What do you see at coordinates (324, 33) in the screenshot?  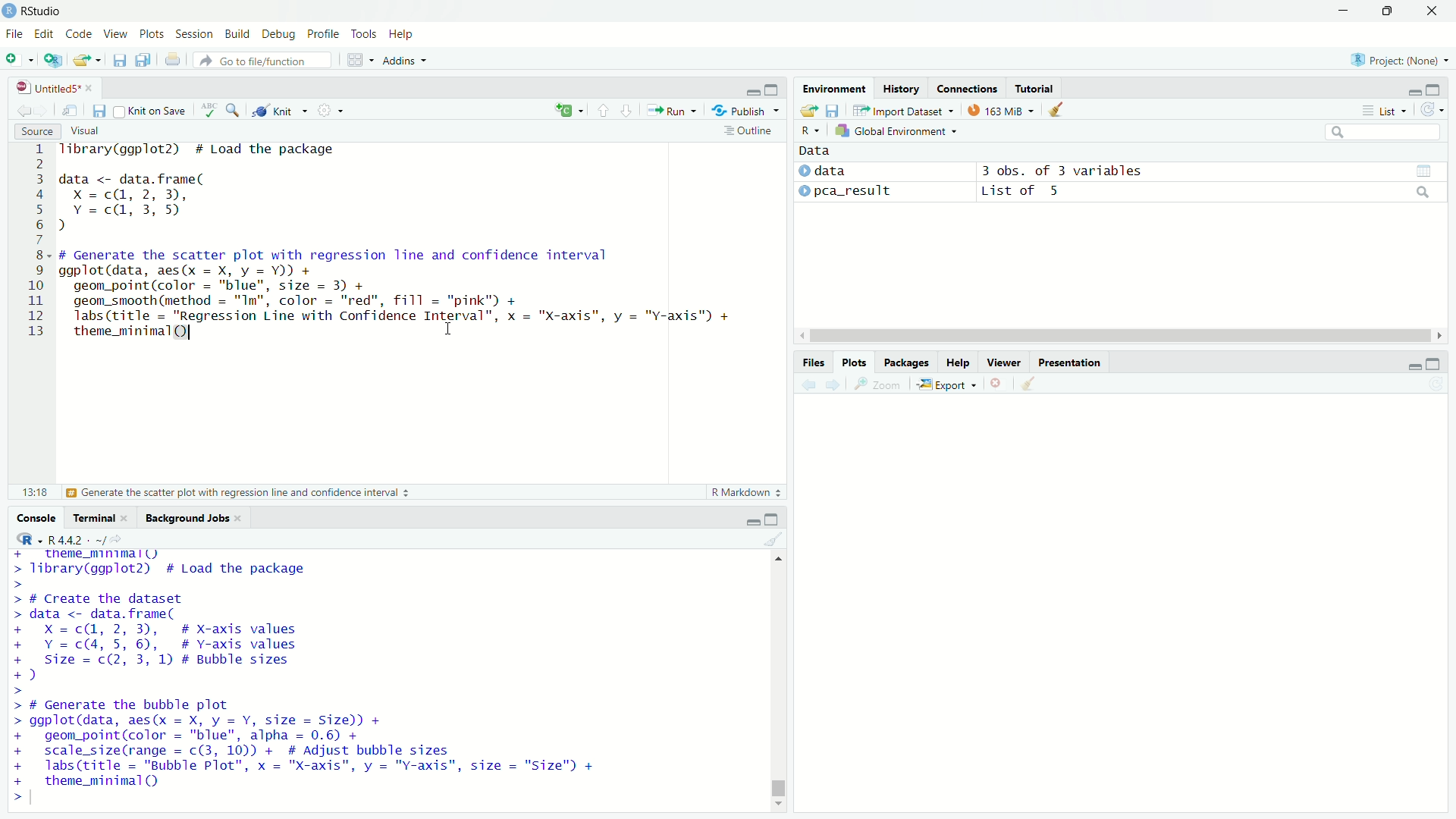 I see `Profile` at bounding box center [324, 33].